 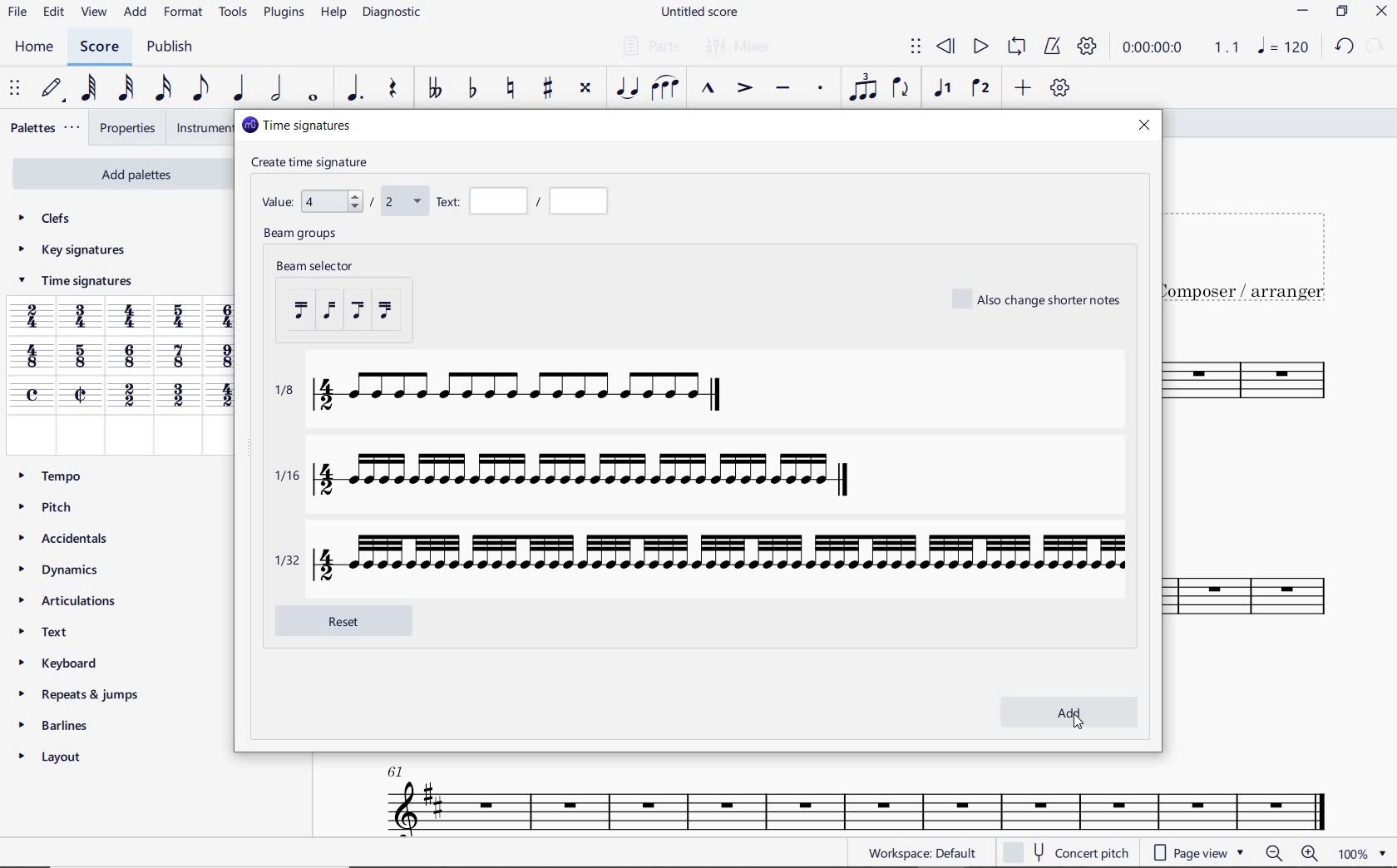 I want to click on 32ND NOTE, so click(x=126, y=89).